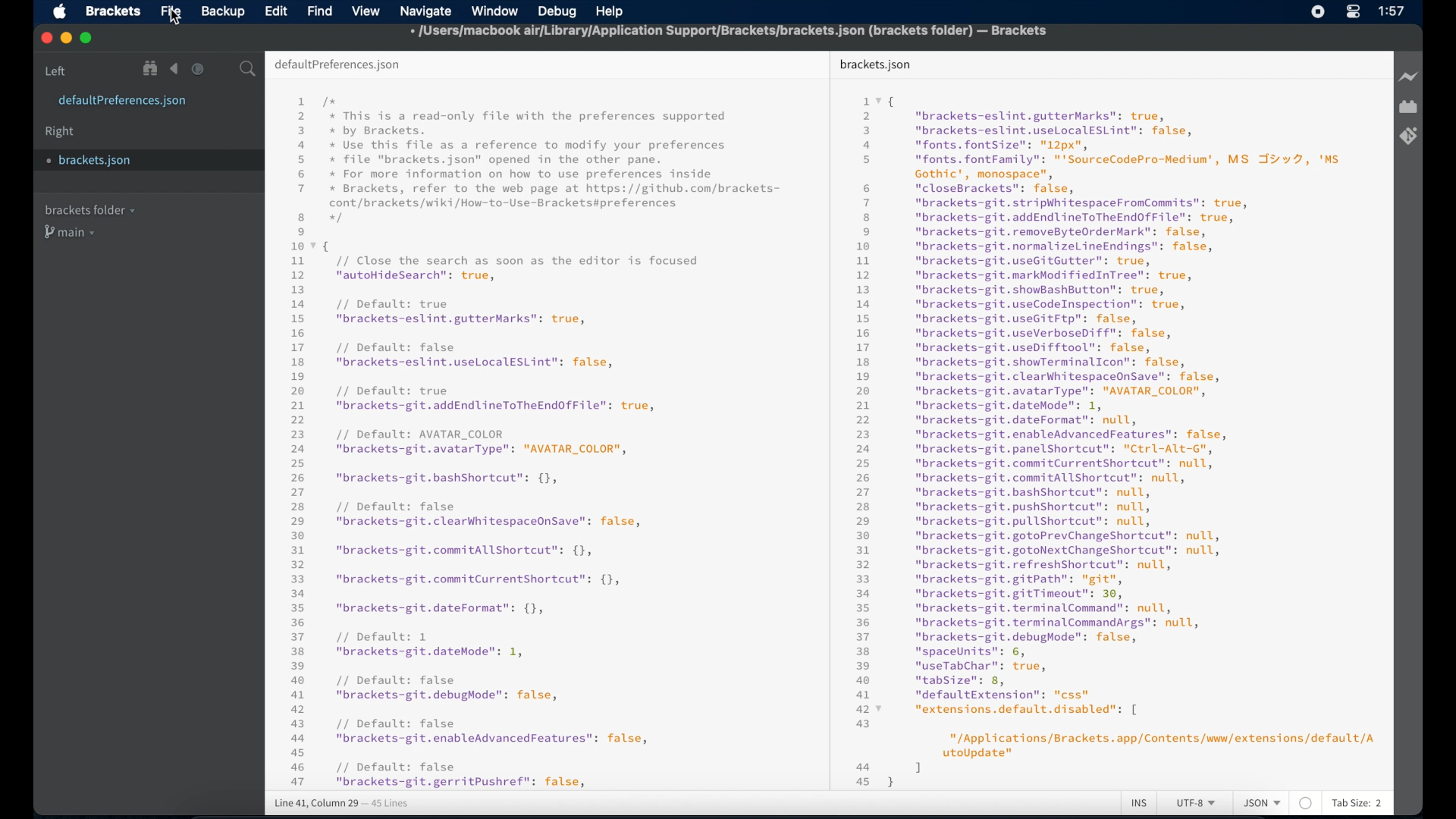 Image resolution: width=1456 pixels, height=819 pixels. I want to click on extension manager, so click(1408, 108).